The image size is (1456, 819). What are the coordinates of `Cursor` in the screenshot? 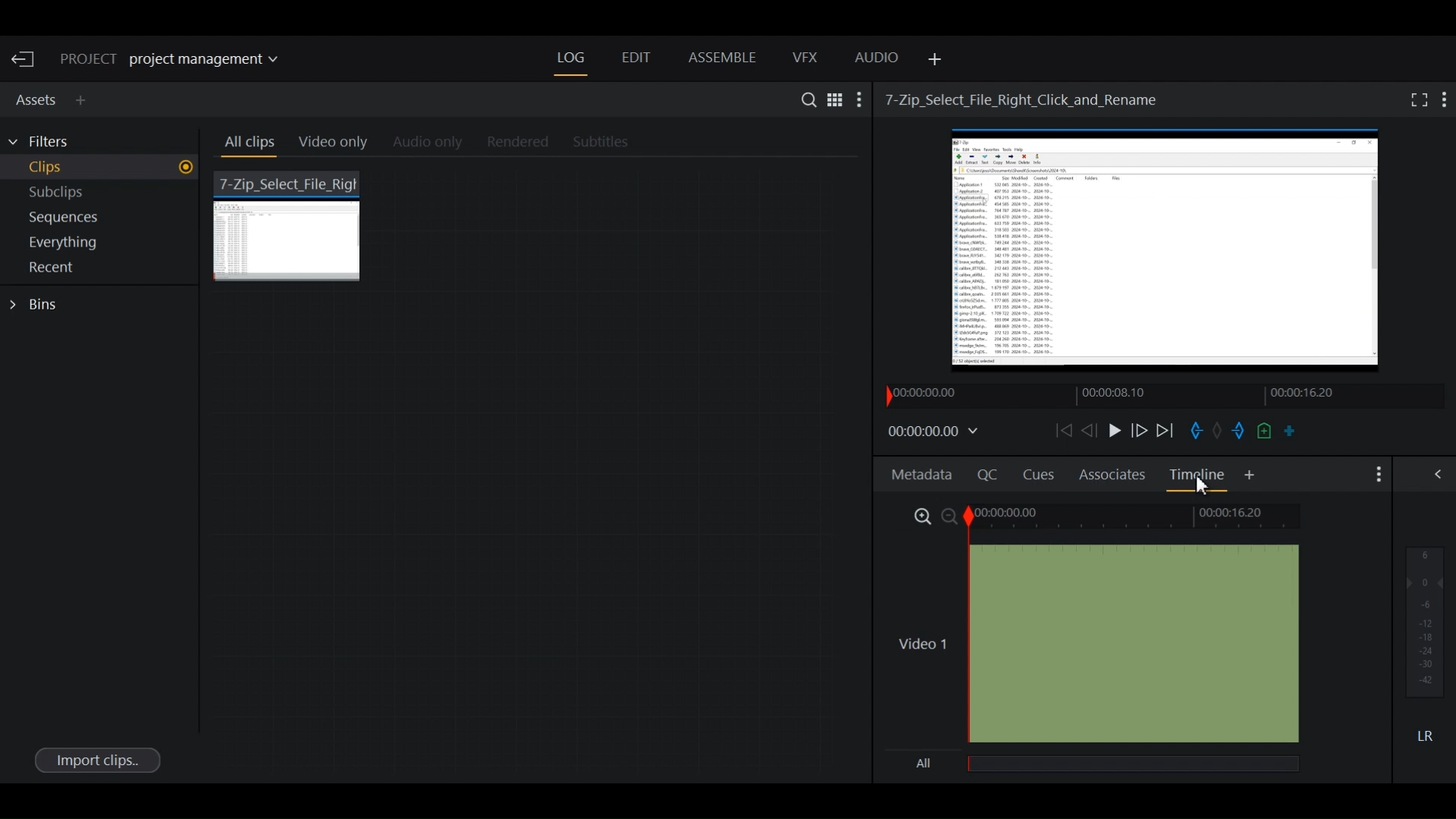 It's located at (1200, 491).